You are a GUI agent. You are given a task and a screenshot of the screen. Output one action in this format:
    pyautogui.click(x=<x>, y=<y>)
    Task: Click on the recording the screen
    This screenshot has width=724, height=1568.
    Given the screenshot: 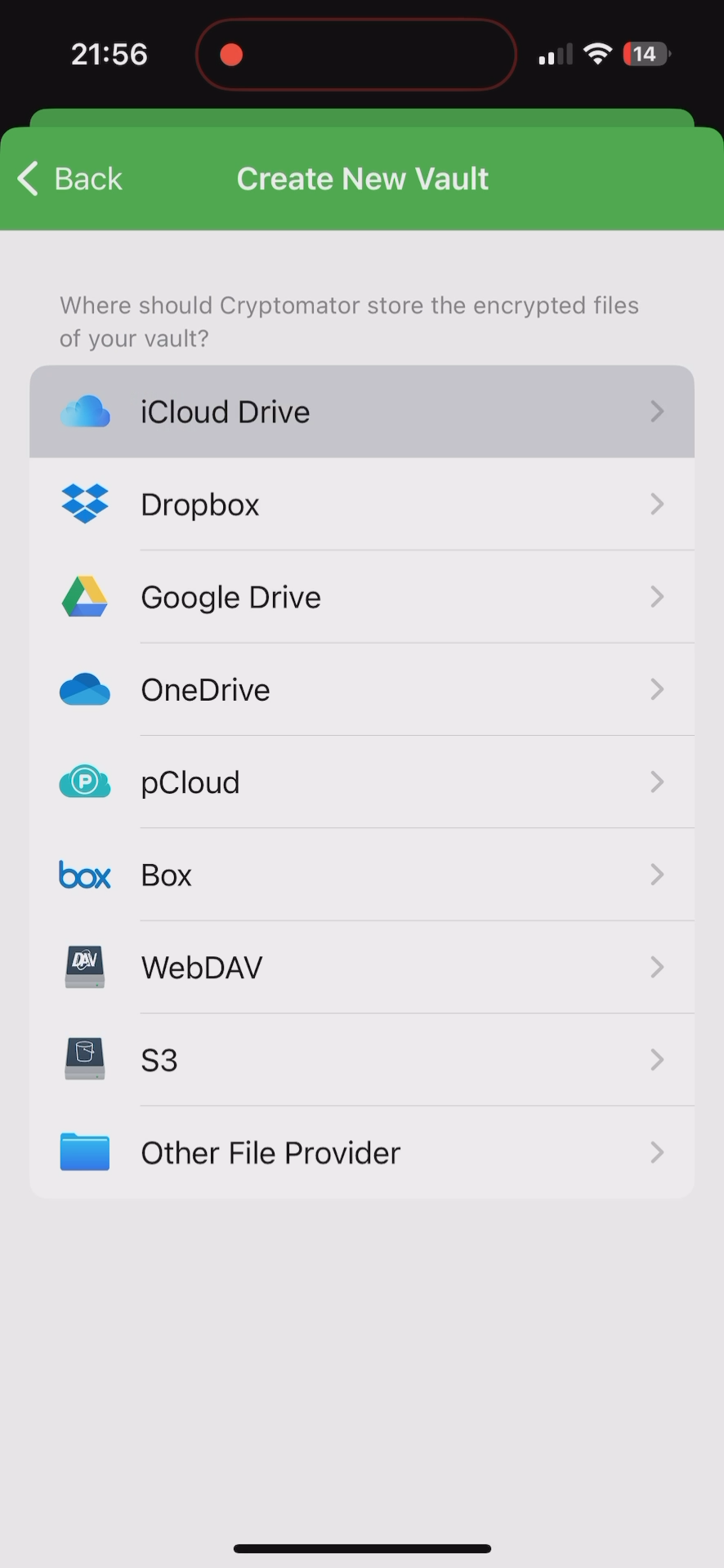 What is the action you would take?
    pyautogui.click(x=231, y=51)
    